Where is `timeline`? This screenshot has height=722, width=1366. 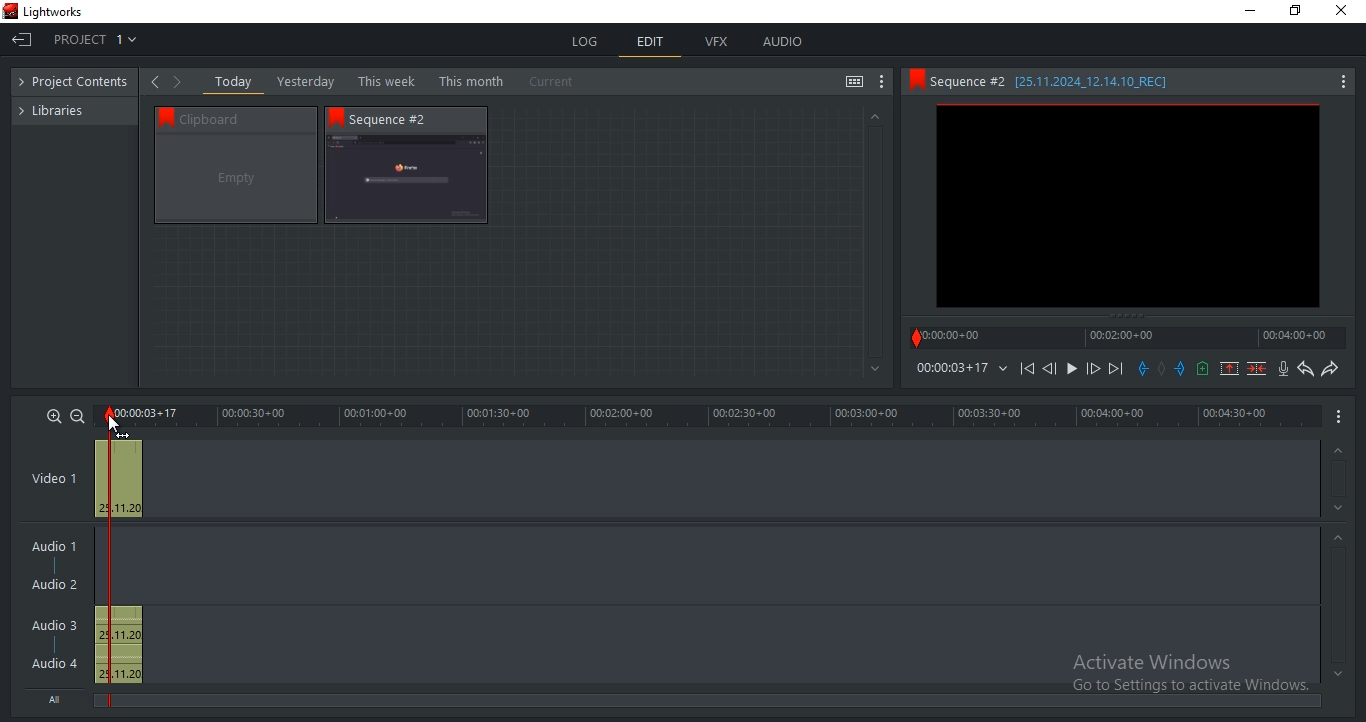
timeline is located at coordinates (1128, 337).